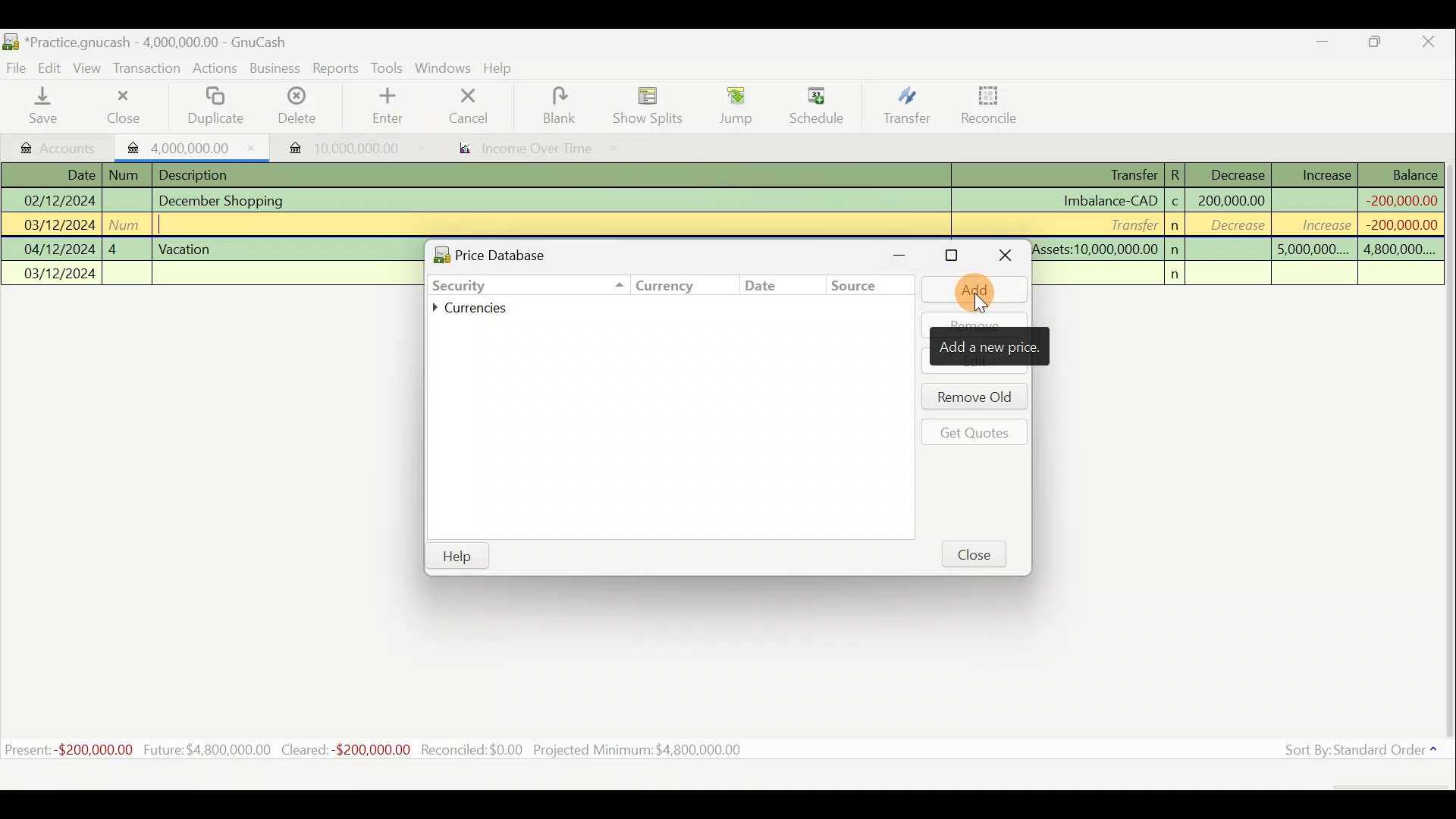 The image size is (1456, 819). I want to click on Source, so click(871, 287).